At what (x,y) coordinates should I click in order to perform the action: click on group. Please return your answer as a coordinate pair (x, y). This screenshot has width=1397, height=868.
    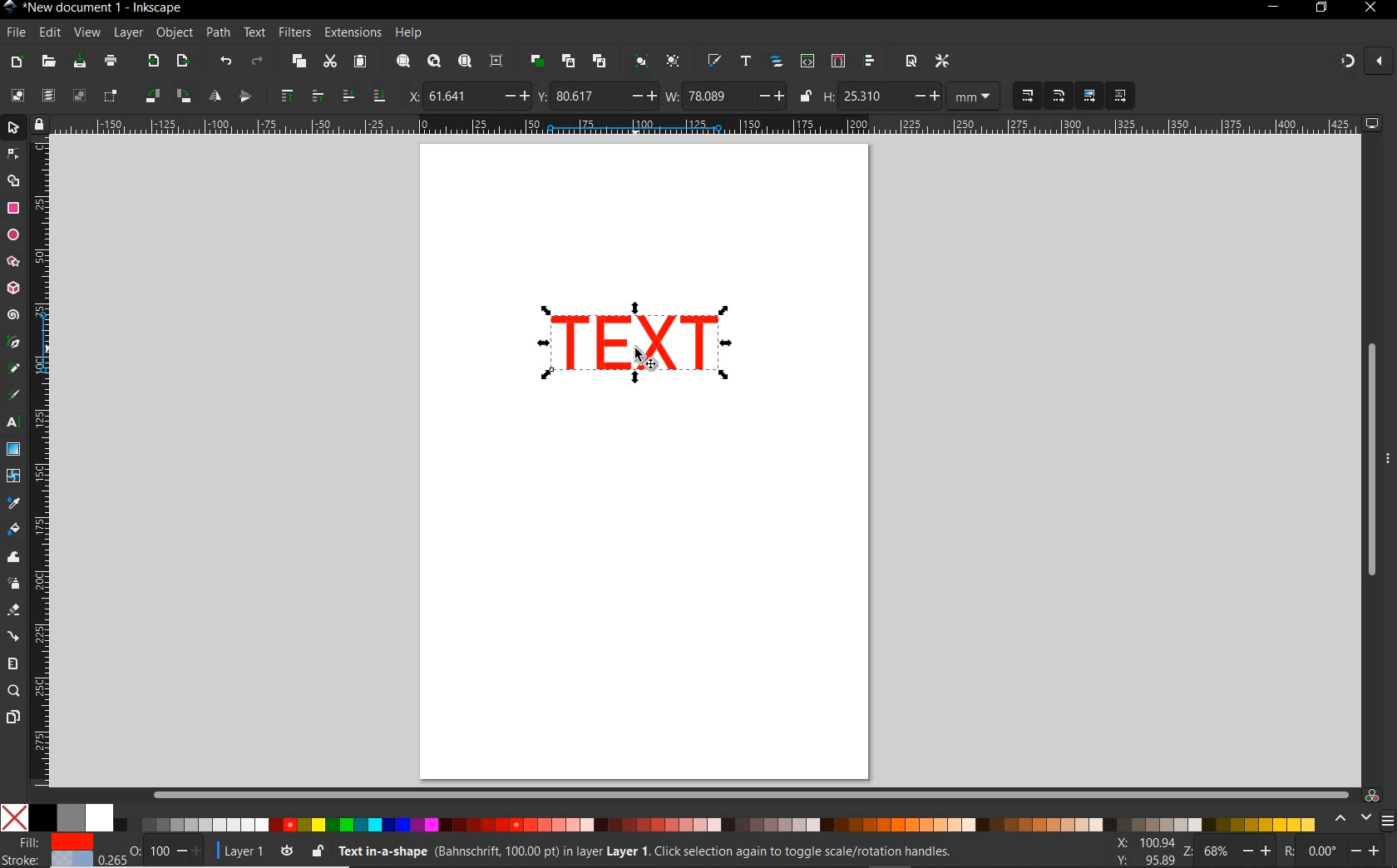
    Looking at the image, I should click on (639, 62).